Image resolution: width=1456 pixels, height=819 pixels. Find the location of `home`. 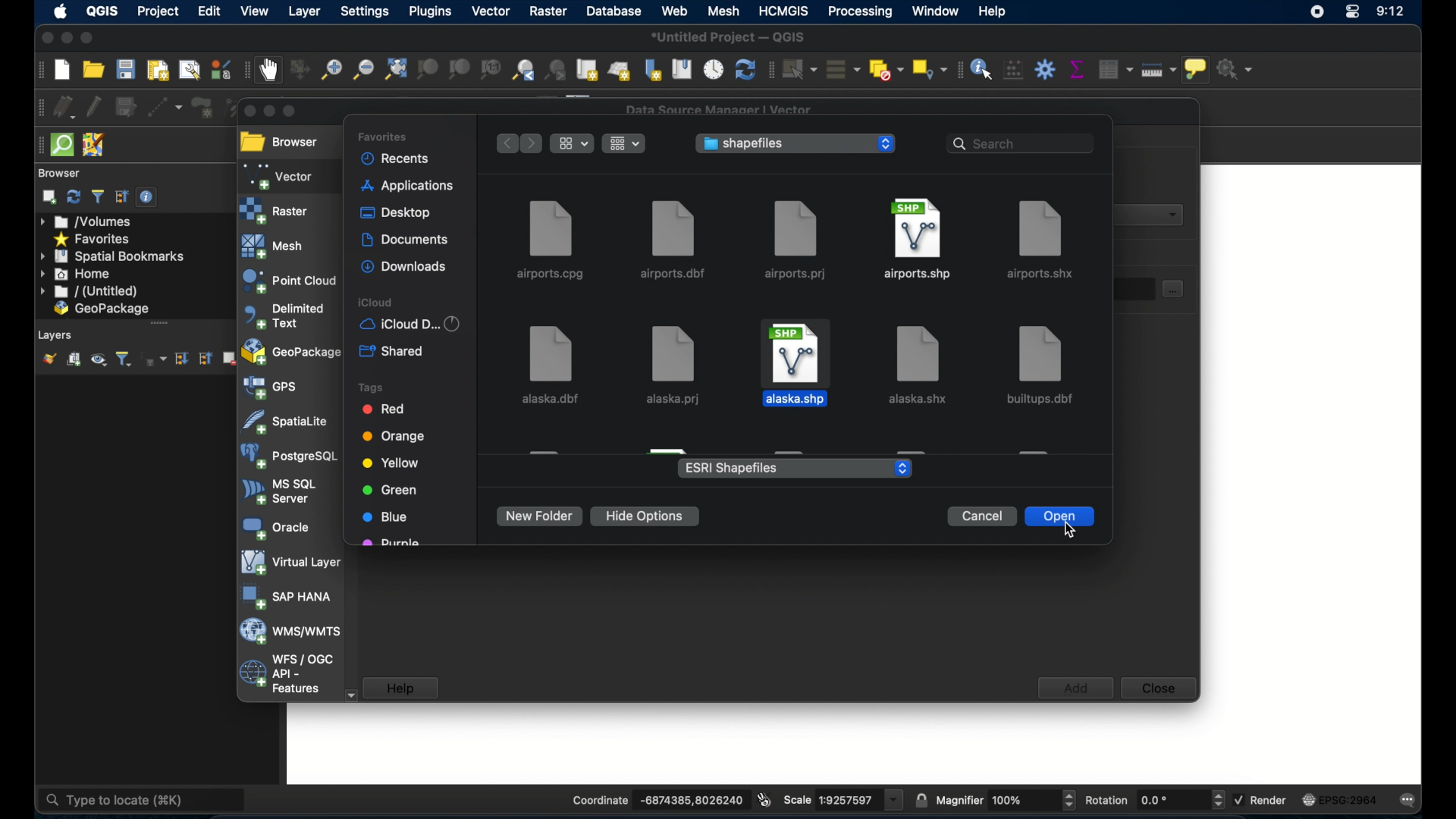

home is located at coordinates (77, 274).